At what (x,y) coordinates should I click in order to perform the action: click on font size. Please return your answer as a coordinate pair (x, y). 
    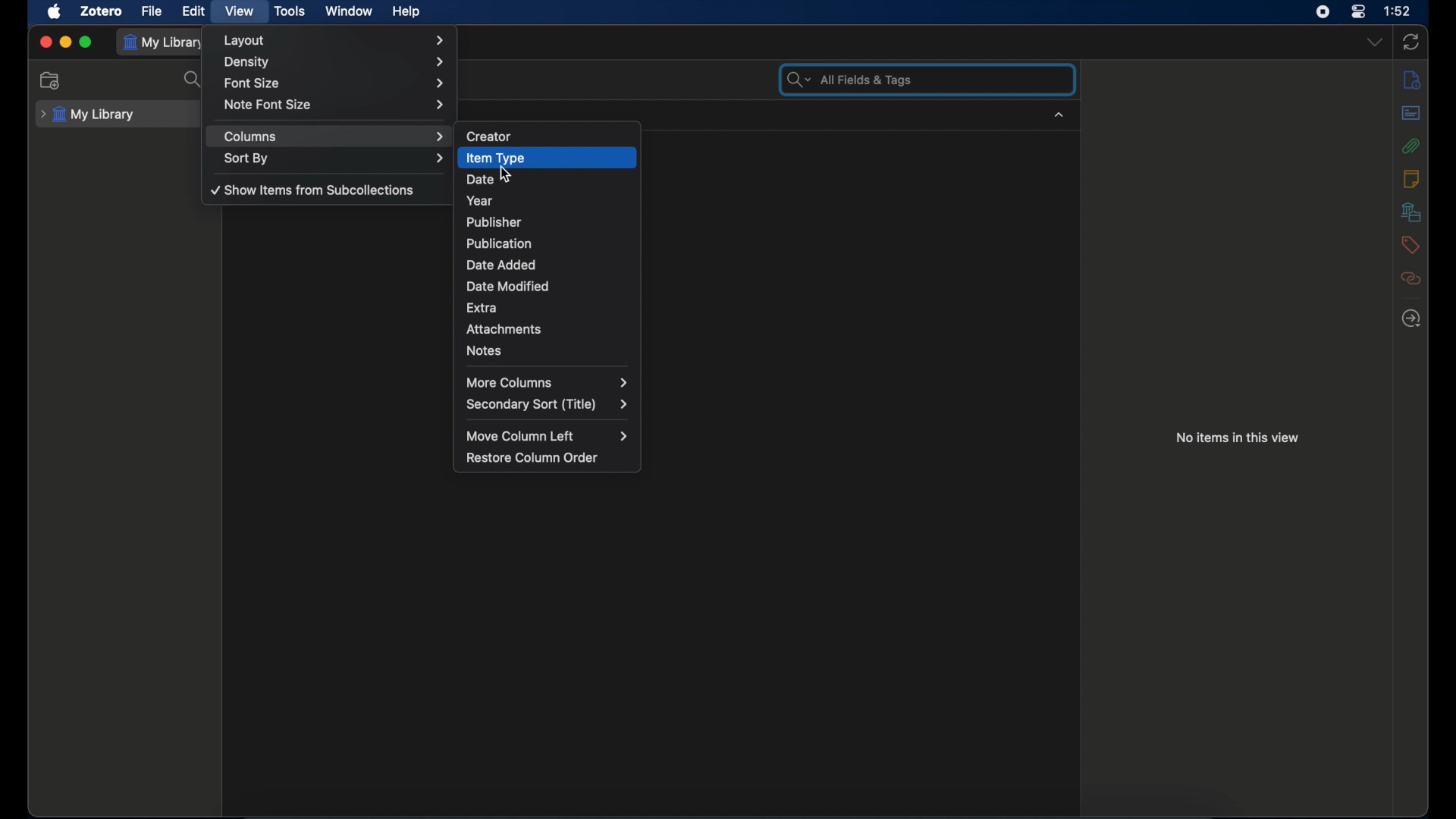
    Looking at the image, I should click on (337, 84).